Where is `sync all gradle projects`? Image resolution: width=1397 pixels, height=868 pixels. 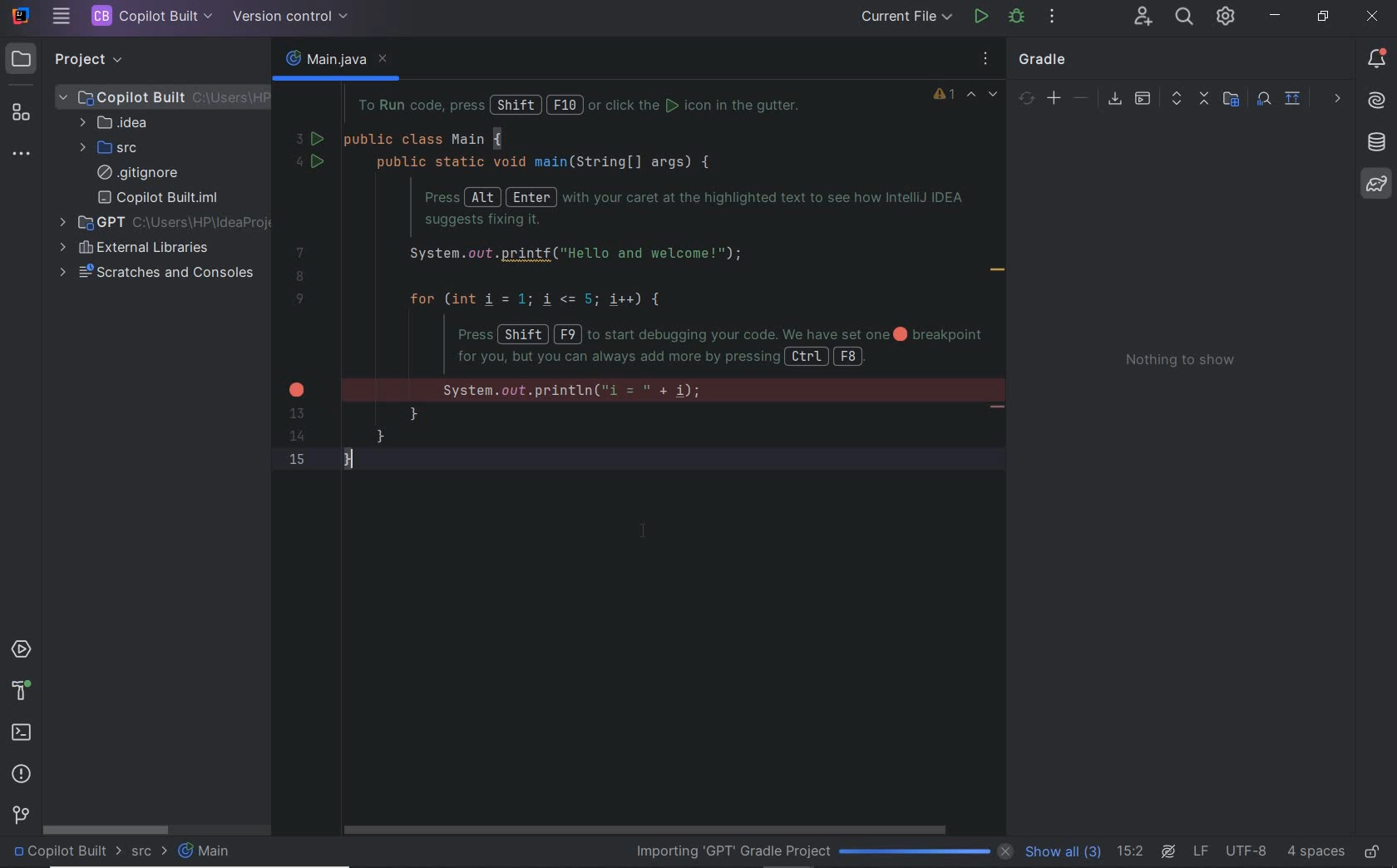 sync all gradle projects is located at coordinates (1028, 100).